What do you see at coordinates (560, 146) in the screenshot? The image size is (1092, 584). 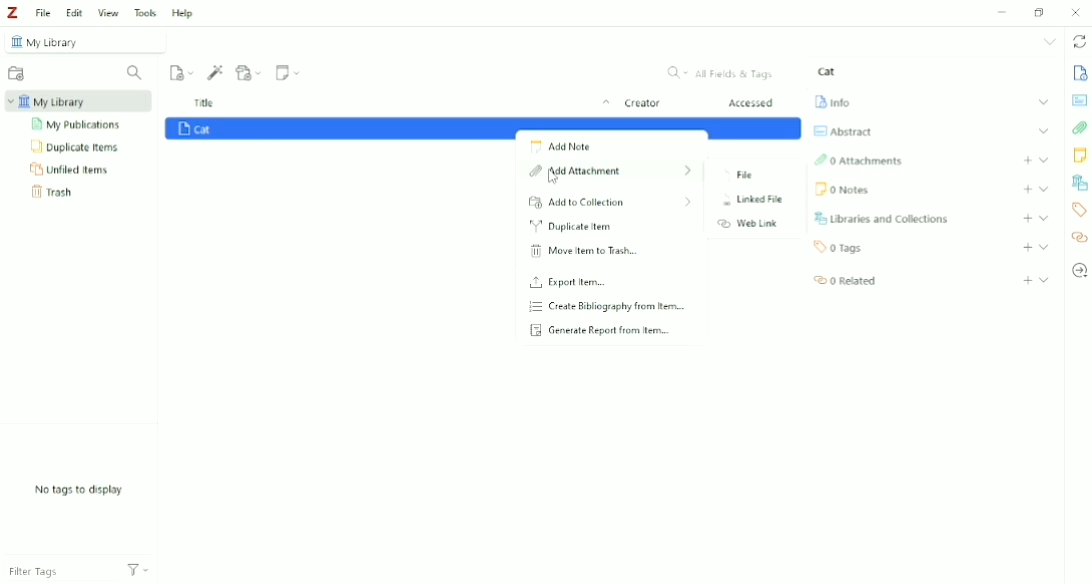 I see `Add Note` at bounding box center [560, 146].